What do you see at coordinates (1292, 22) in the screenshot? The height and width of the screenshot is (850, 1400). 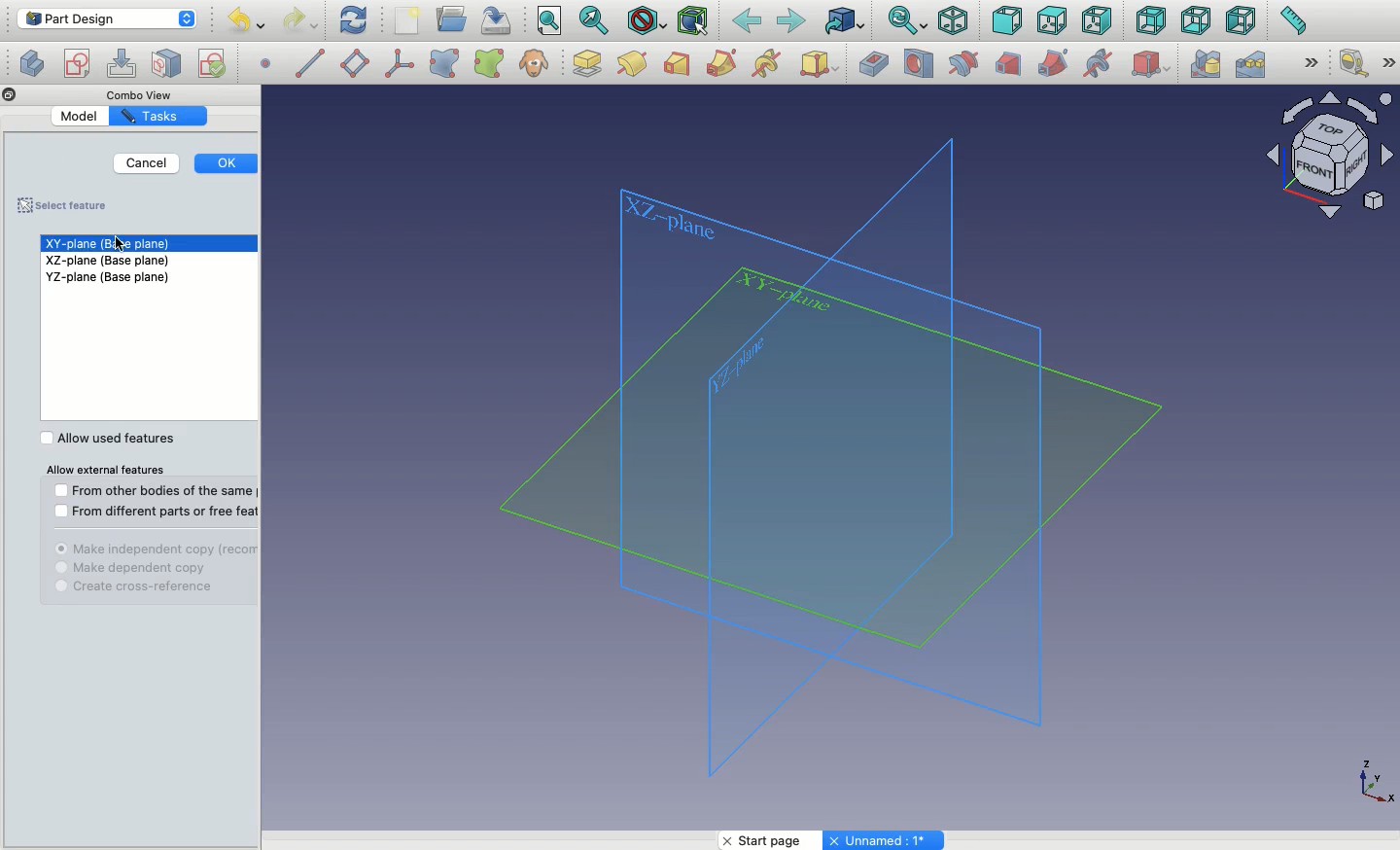 I see `Measure` at bounding box center [1292, 22].